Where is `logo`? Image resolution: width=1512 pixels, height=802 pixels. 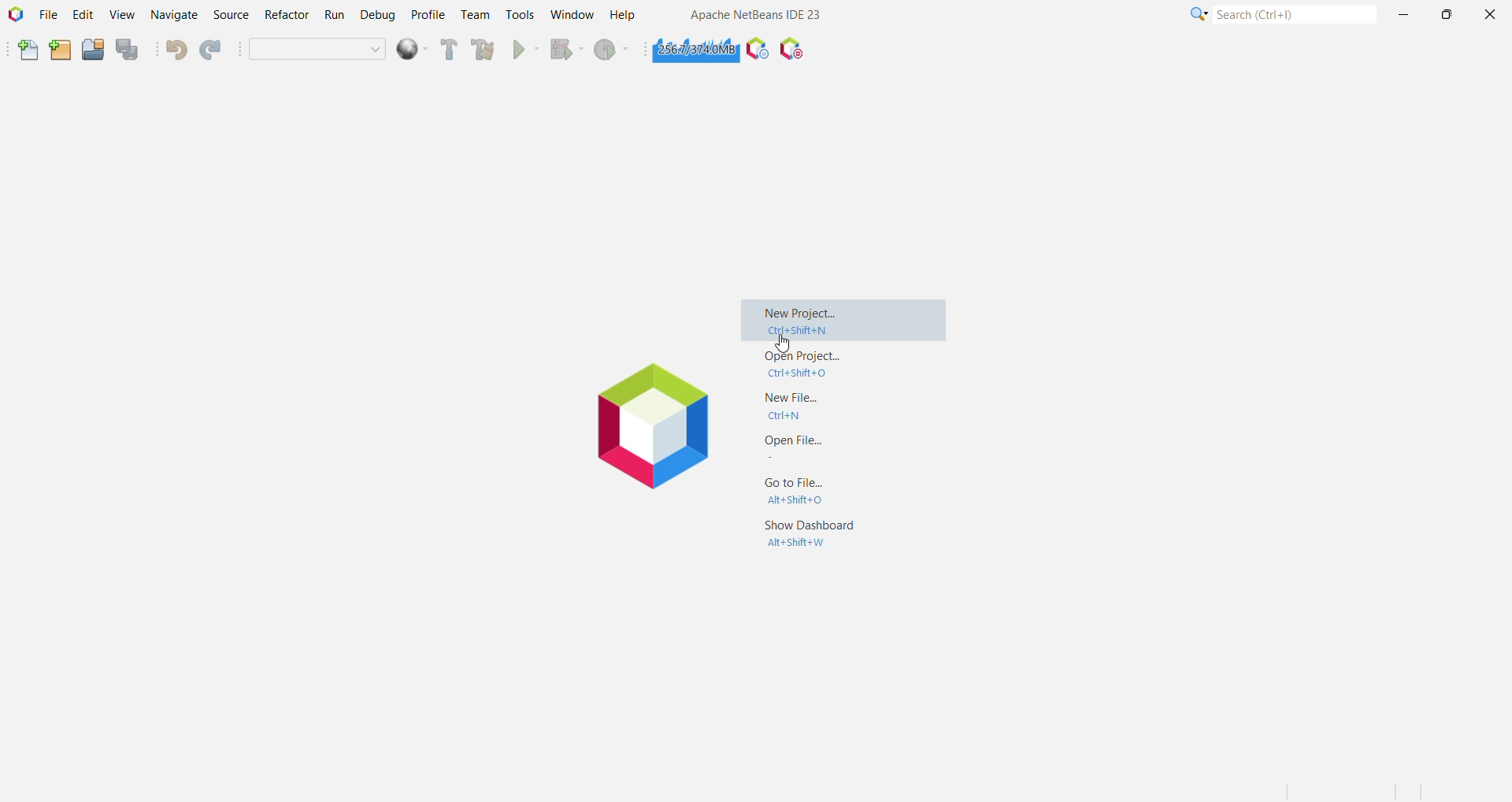
logo is located at coordinates (646, 426).